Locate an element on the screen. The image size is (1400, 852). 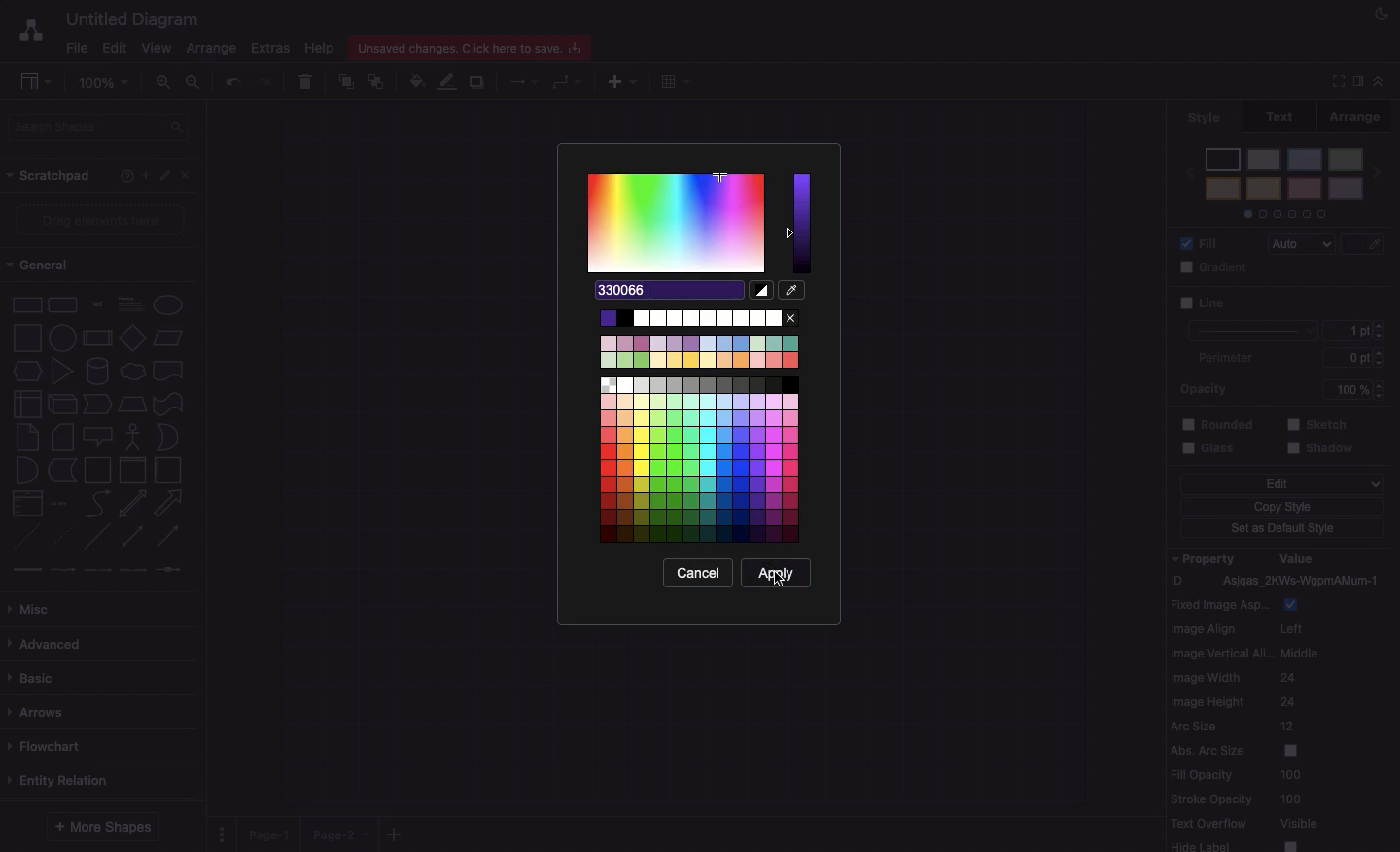
cylinder is located at coordinates (97, 370).